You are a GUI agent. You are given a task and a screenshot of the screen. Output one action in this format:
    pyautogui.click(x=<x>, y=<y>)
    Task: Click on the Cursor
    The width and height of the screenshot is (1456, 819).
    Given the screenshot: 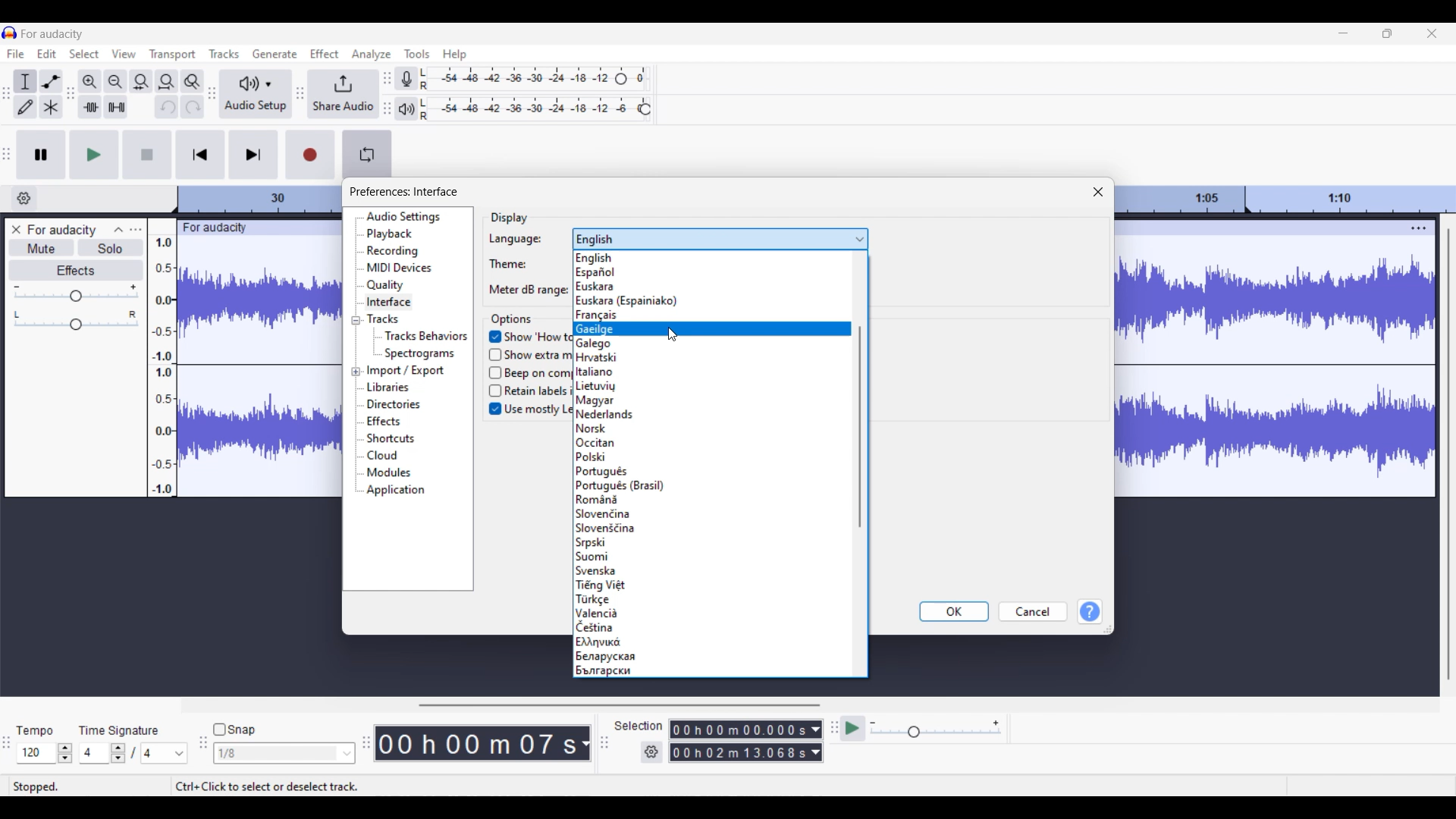 What is the action you would take?
    pyautogui.click(x=674, y=334)
    